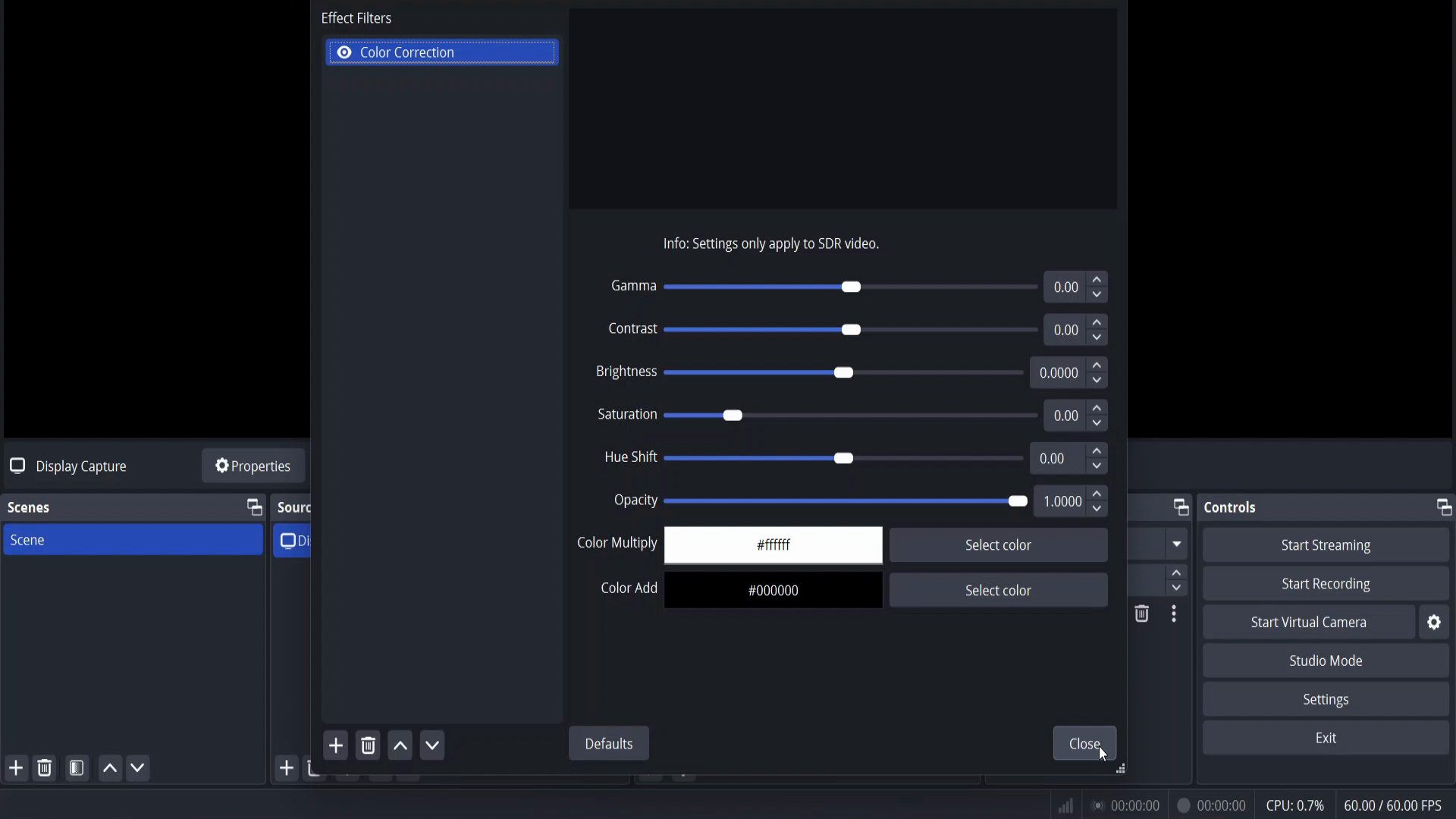  Describe the element at coordinates (435, 744) in the screenshot. I see `move down` at that location.